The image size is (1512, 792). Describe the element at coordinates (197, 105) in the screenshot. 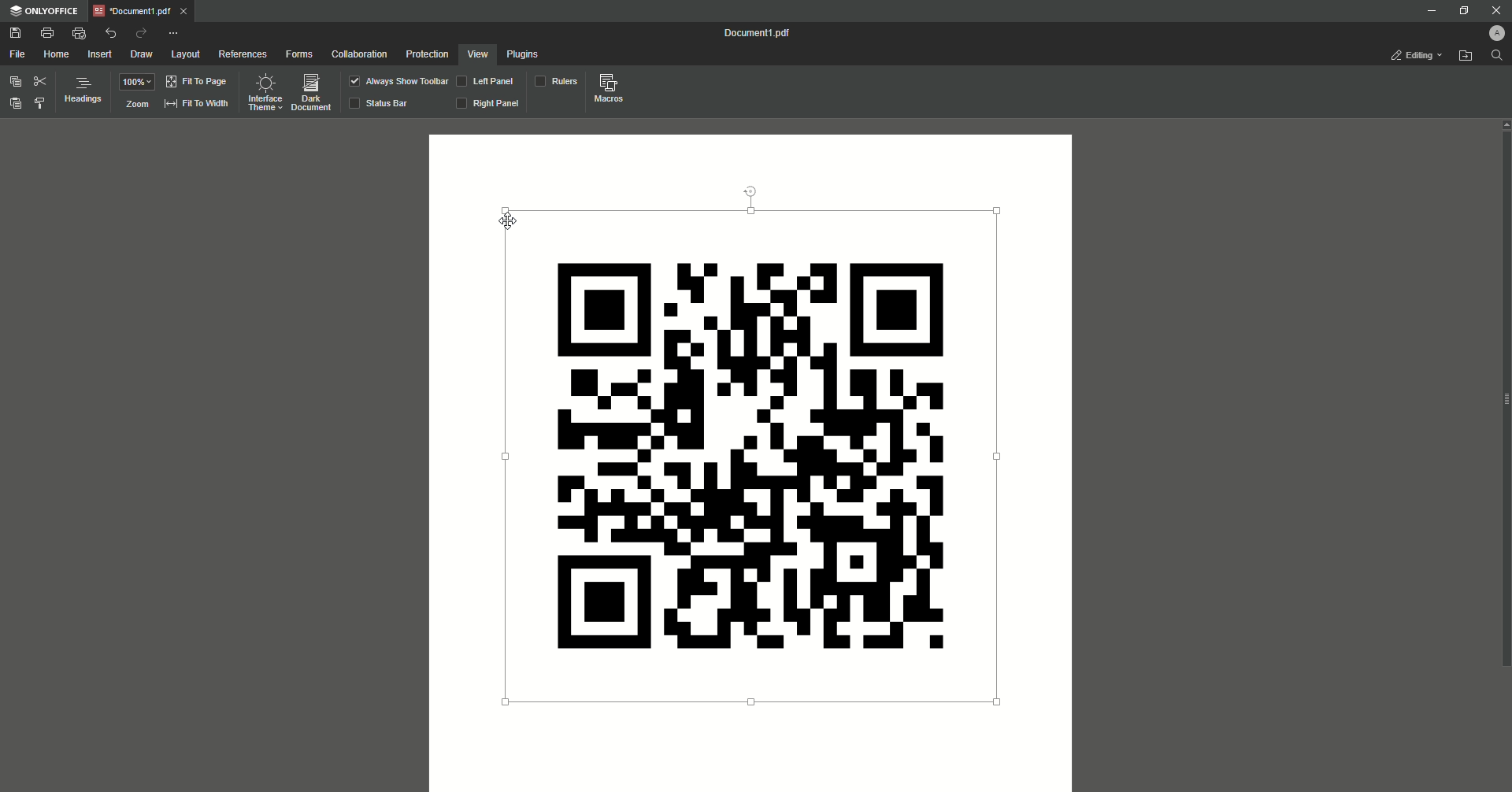

I see `Fit to witdh` at that location.